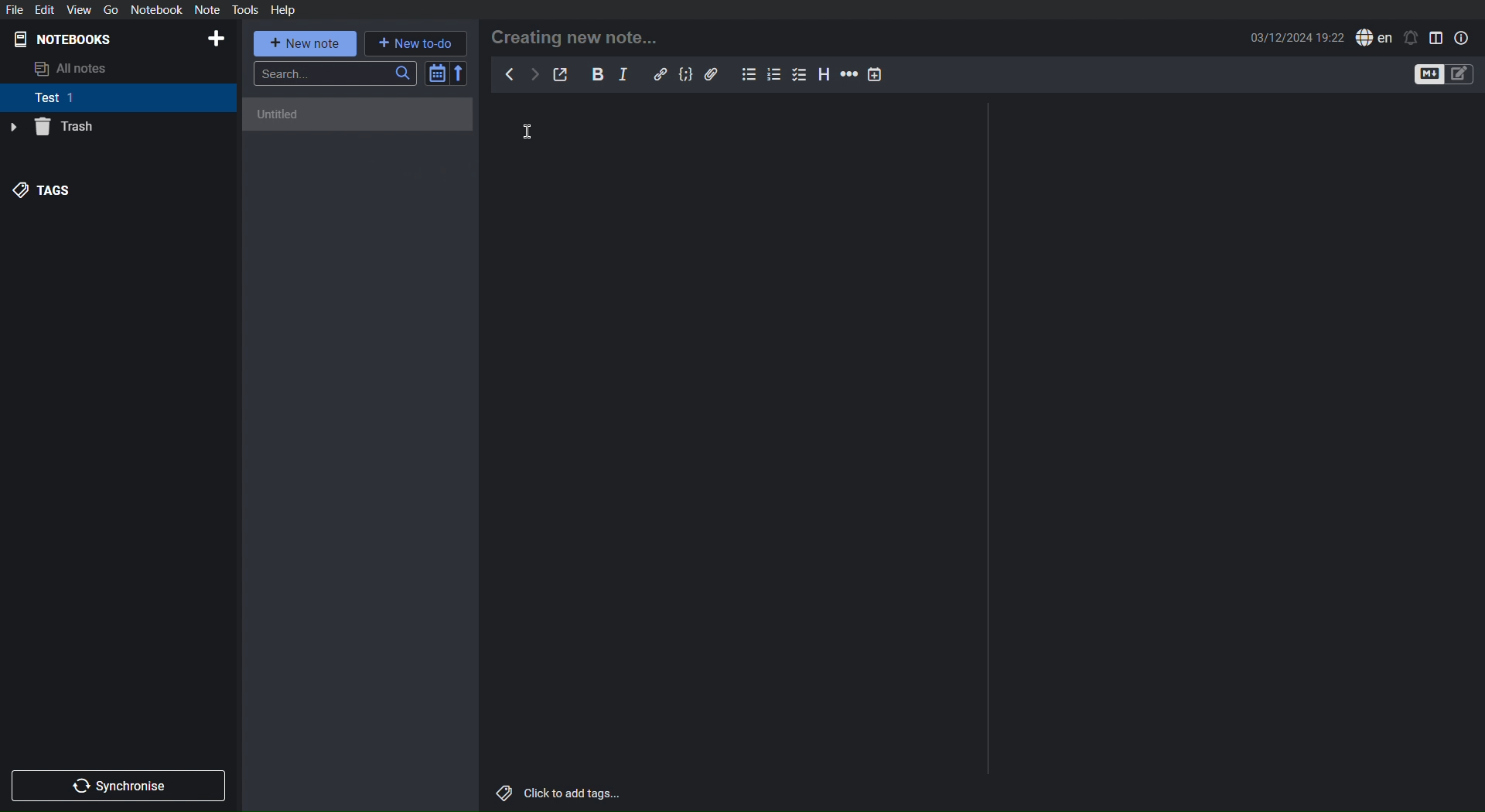 Image resolution: width=1485 pixels, height=812 pixels. What do you see at coordinates (117, 786) in the screenshot?
I see `Synchronize` at bounding box center [117, 786].